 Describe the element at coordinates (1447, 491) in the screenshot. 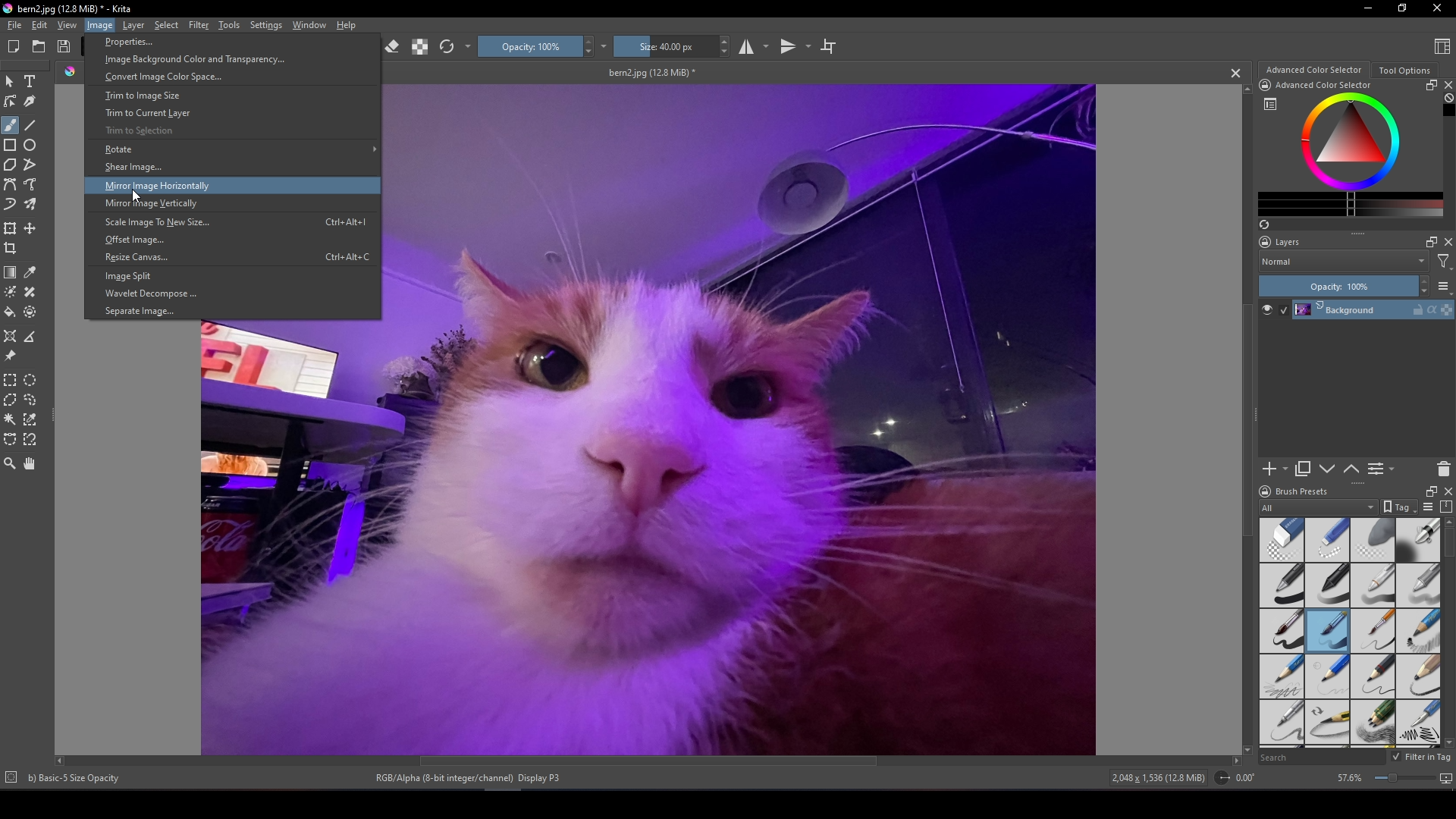

I see `Close brush docker` at that location.